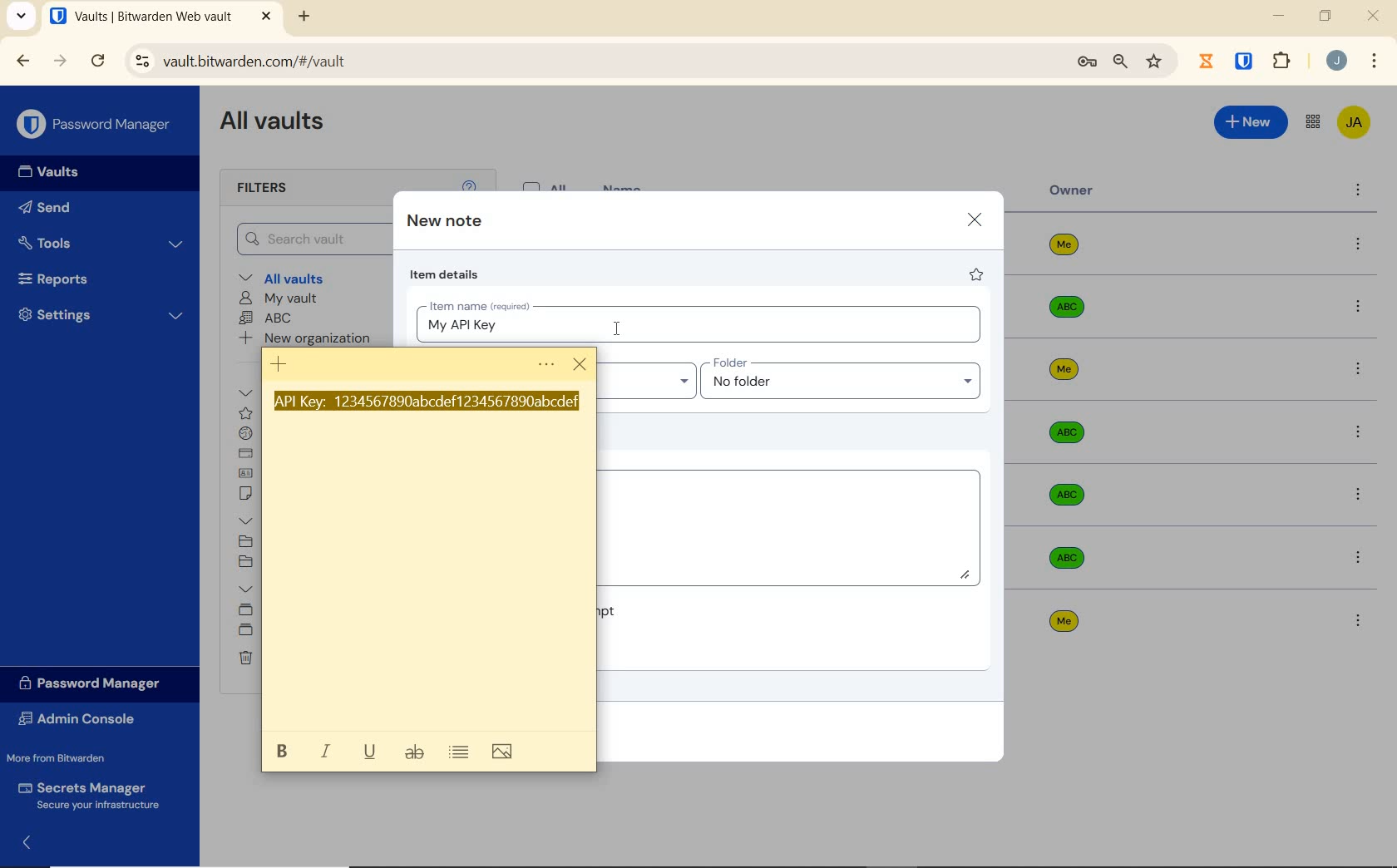 This screenshot has height=868, width=1397. Describe the element at coordinates (306, 17) in the screenshot. I see `NEW TAB` at that location.